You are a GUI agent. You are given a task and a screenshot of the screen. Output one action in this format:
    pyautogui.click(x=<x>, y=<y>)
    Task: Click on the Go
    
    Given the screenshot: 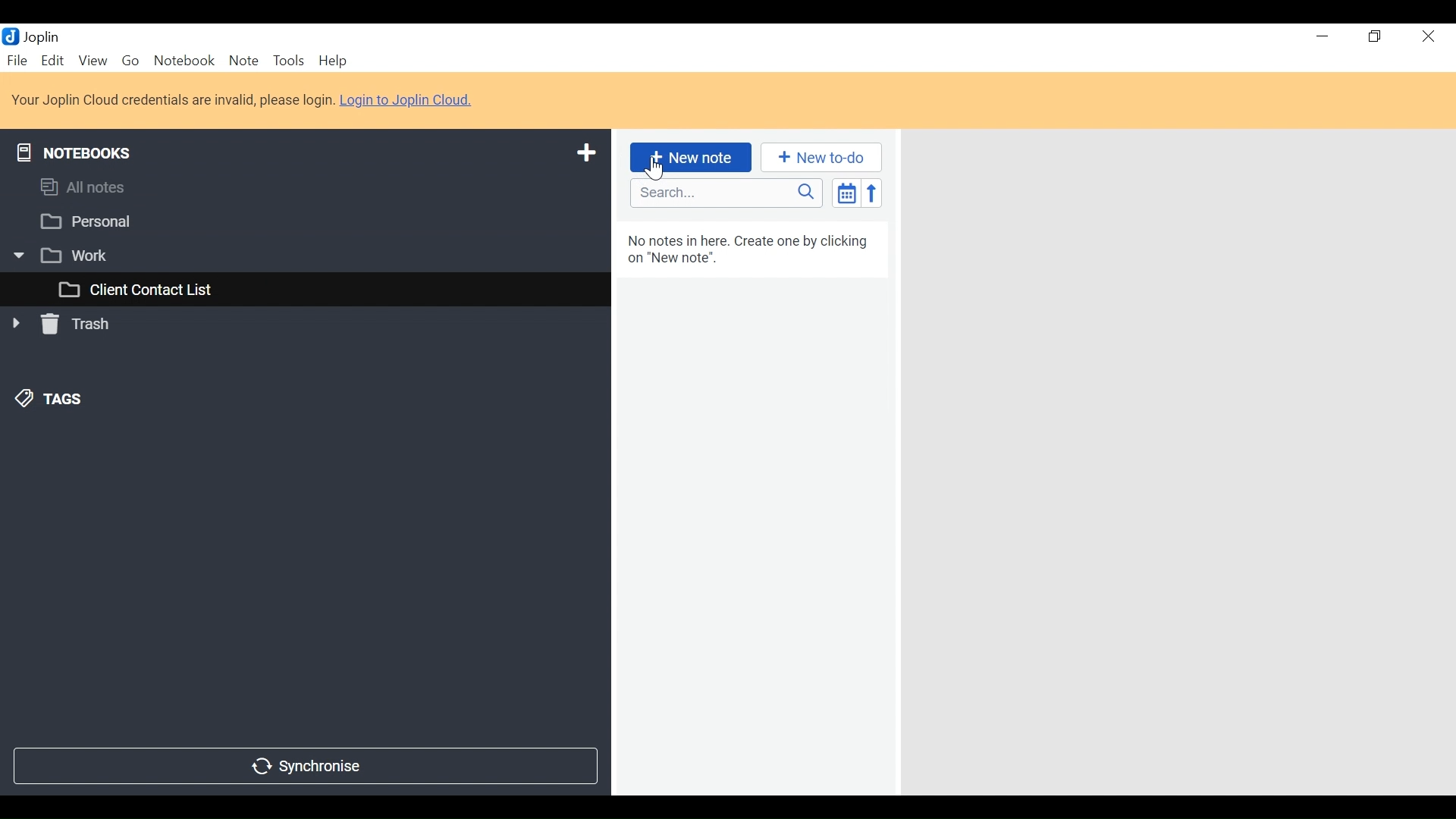 What is the action you would take?
    pyautogui.click(x=130, y=61)
    